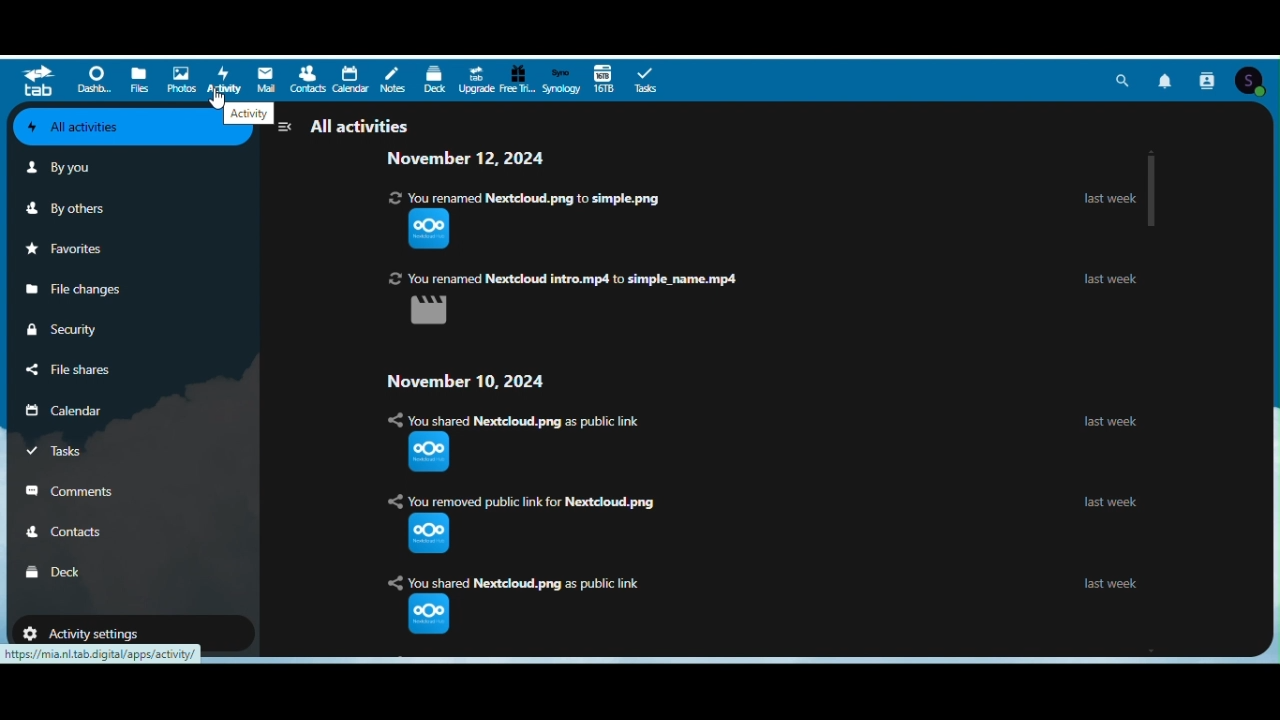 The width and height of the screenshot is (1280, 720). What do you see at coordinates (94, 629) in the screenshot?
I see `Activity settings` at bounding box center [94, 629].